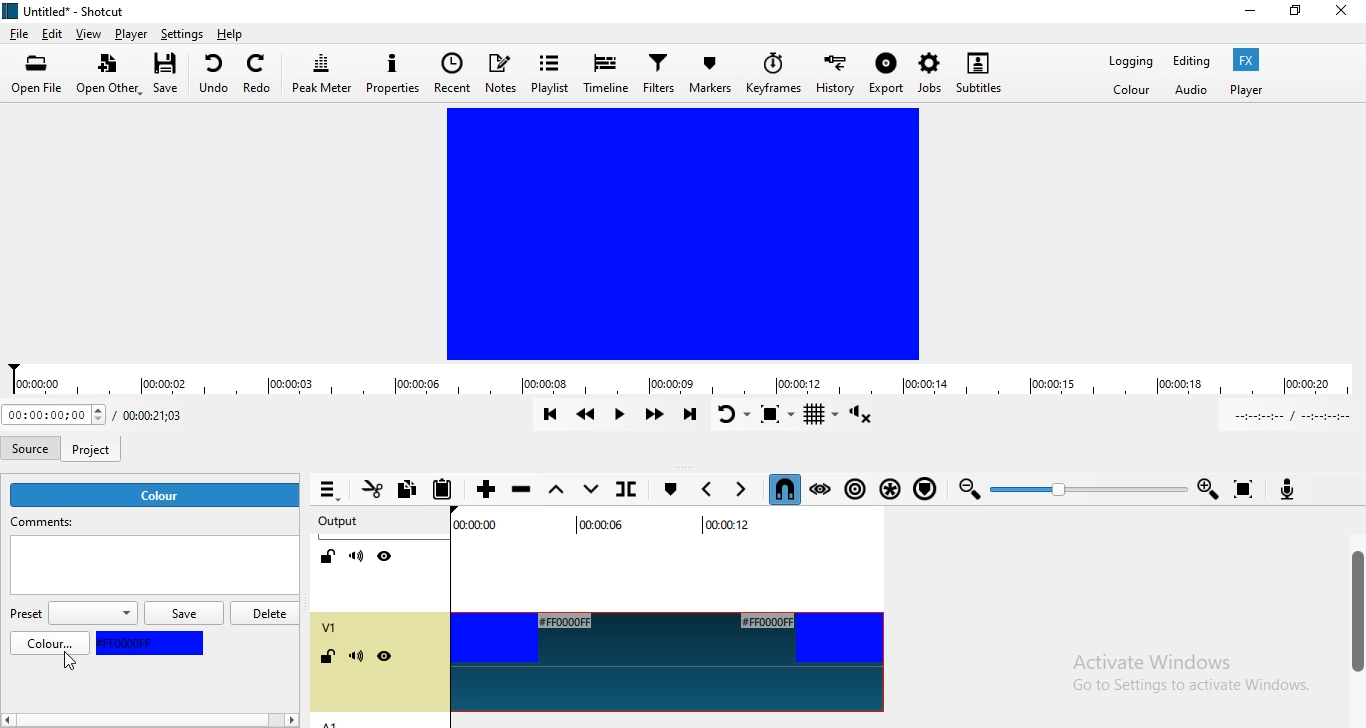 The height and width of the screenshot is (728, 1366). I want to click on hide, so click(384, 658).